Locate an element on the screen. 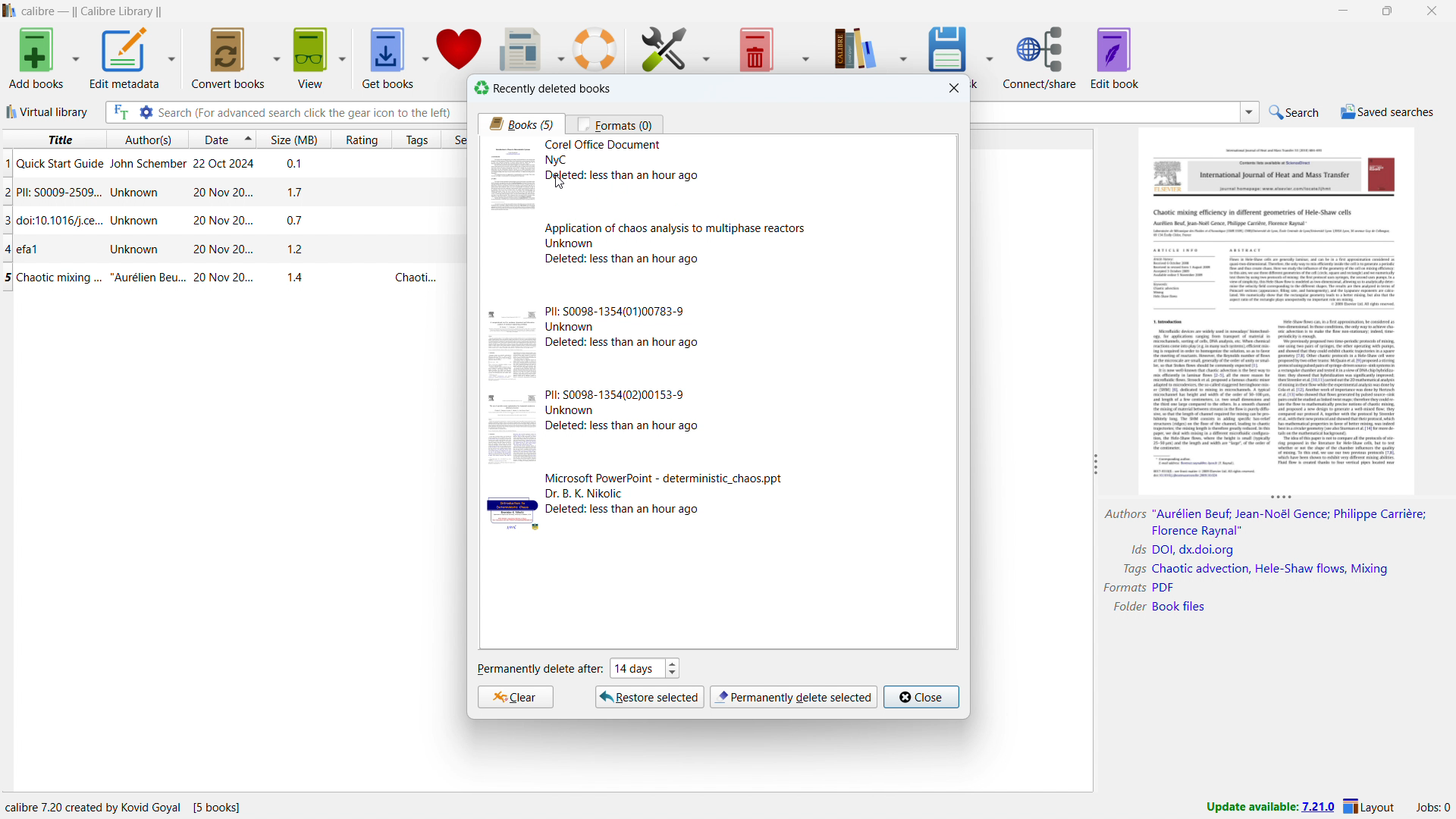  permanently delete selection is located at coordinates (793, 698).